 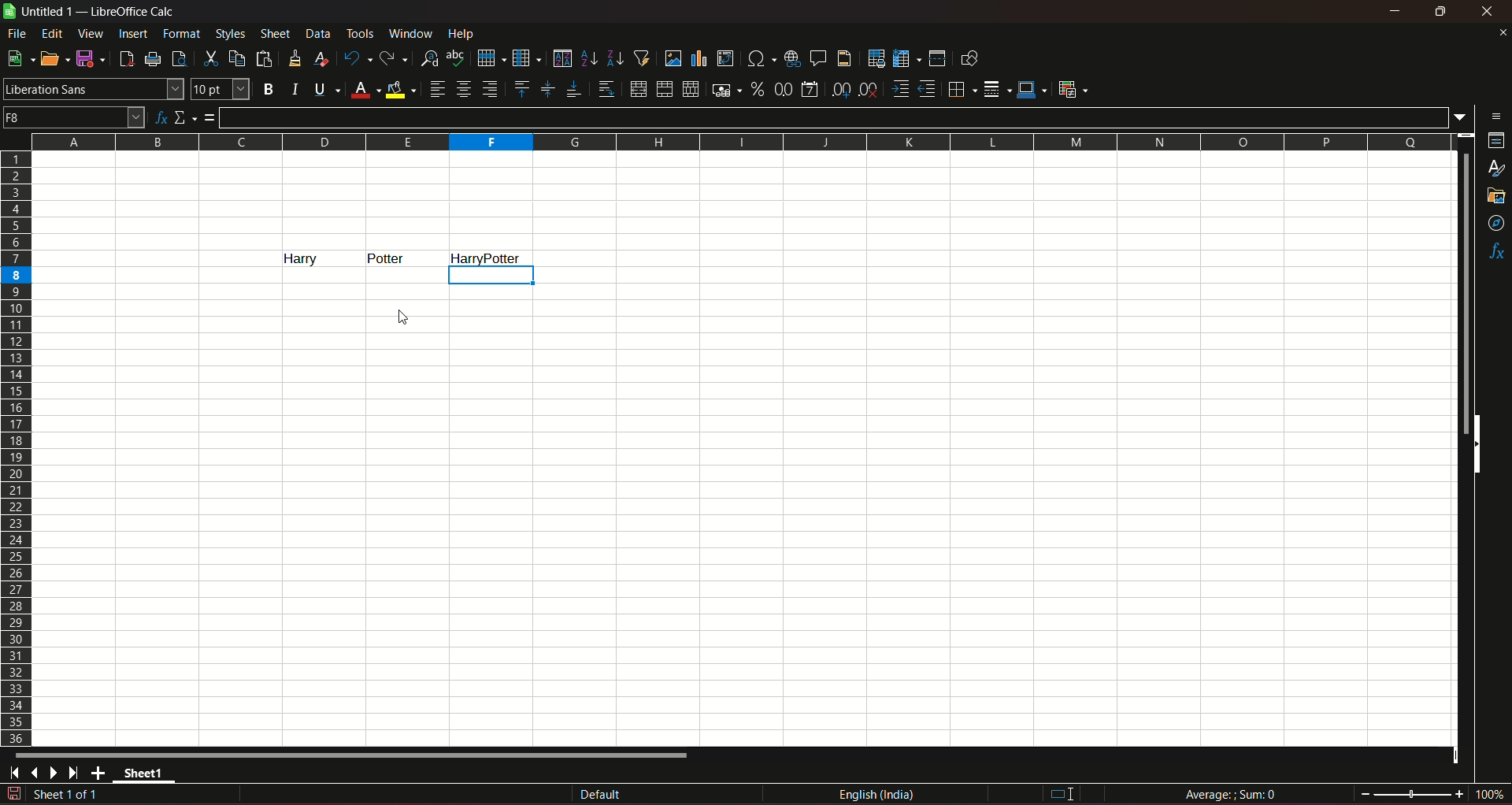 I want to click on sheet sequence, so click(x=67, y=796).